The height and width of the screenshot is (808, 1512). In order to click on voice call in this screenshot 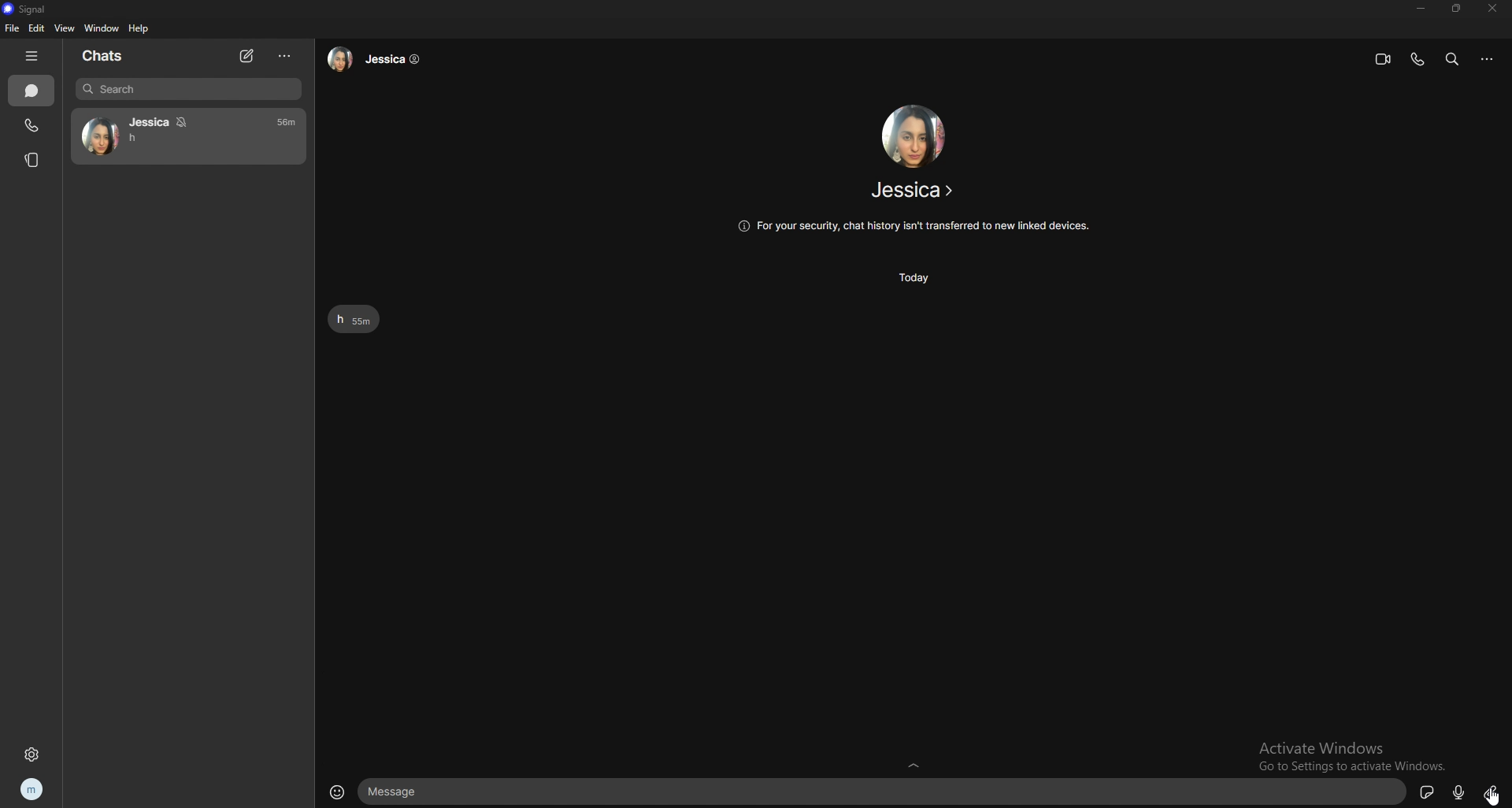, I will do `click(1417, 60)`.